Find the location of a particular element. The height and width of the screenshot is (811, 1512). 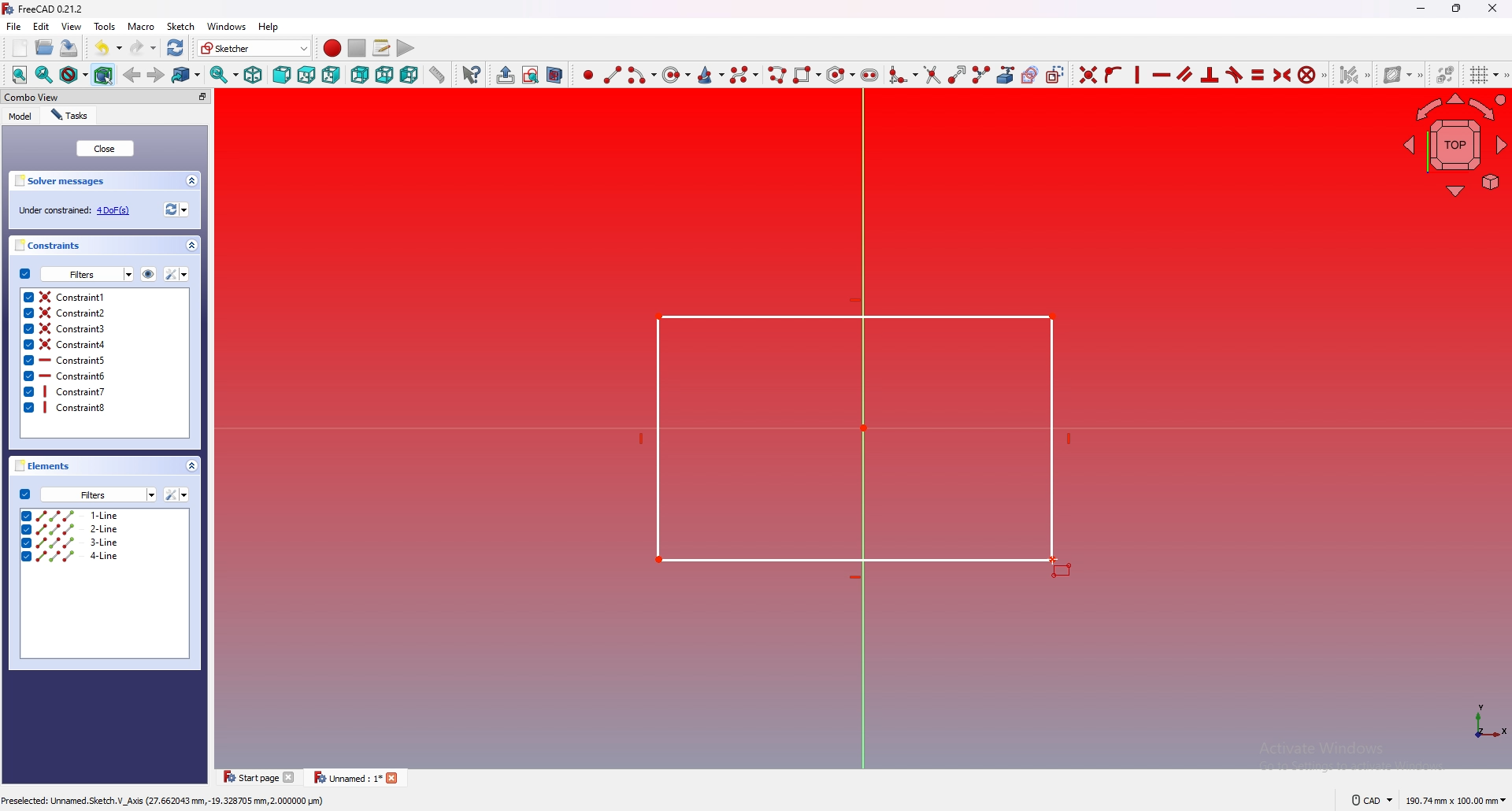

forward is located at coordinates (156, 76).